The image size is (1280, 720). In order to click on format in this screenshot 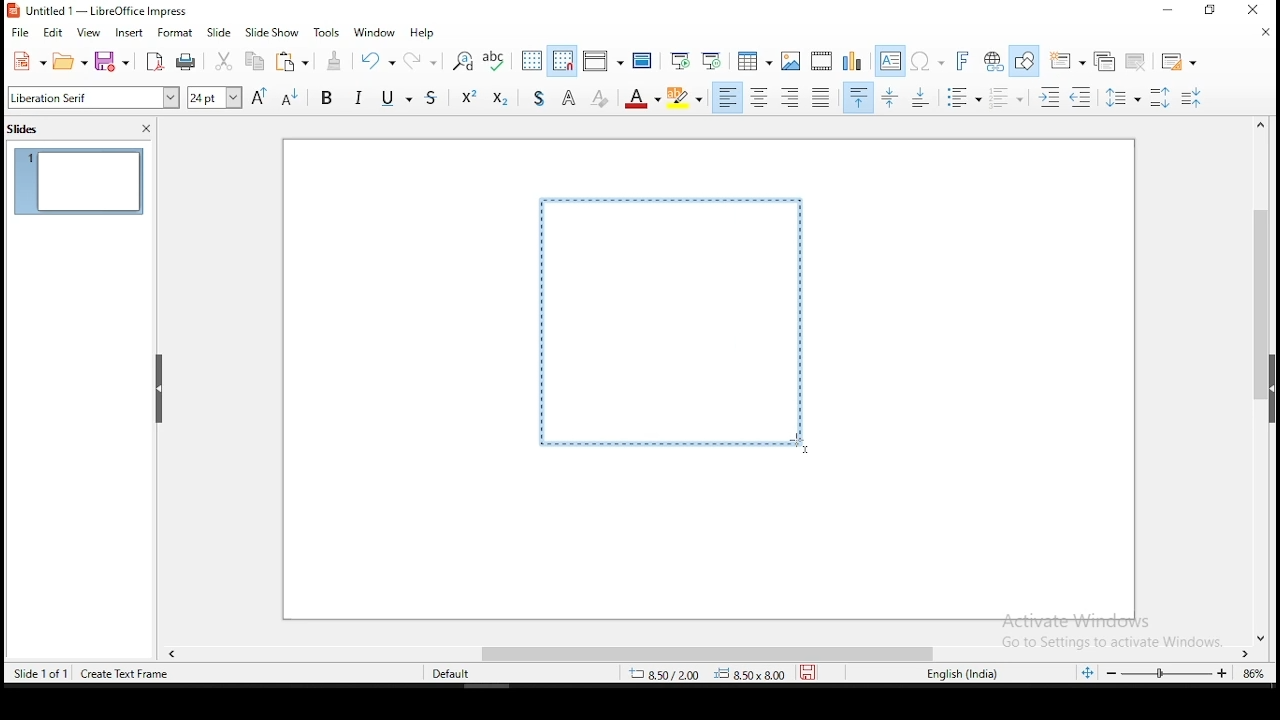, I will do `click(175, 35)`.